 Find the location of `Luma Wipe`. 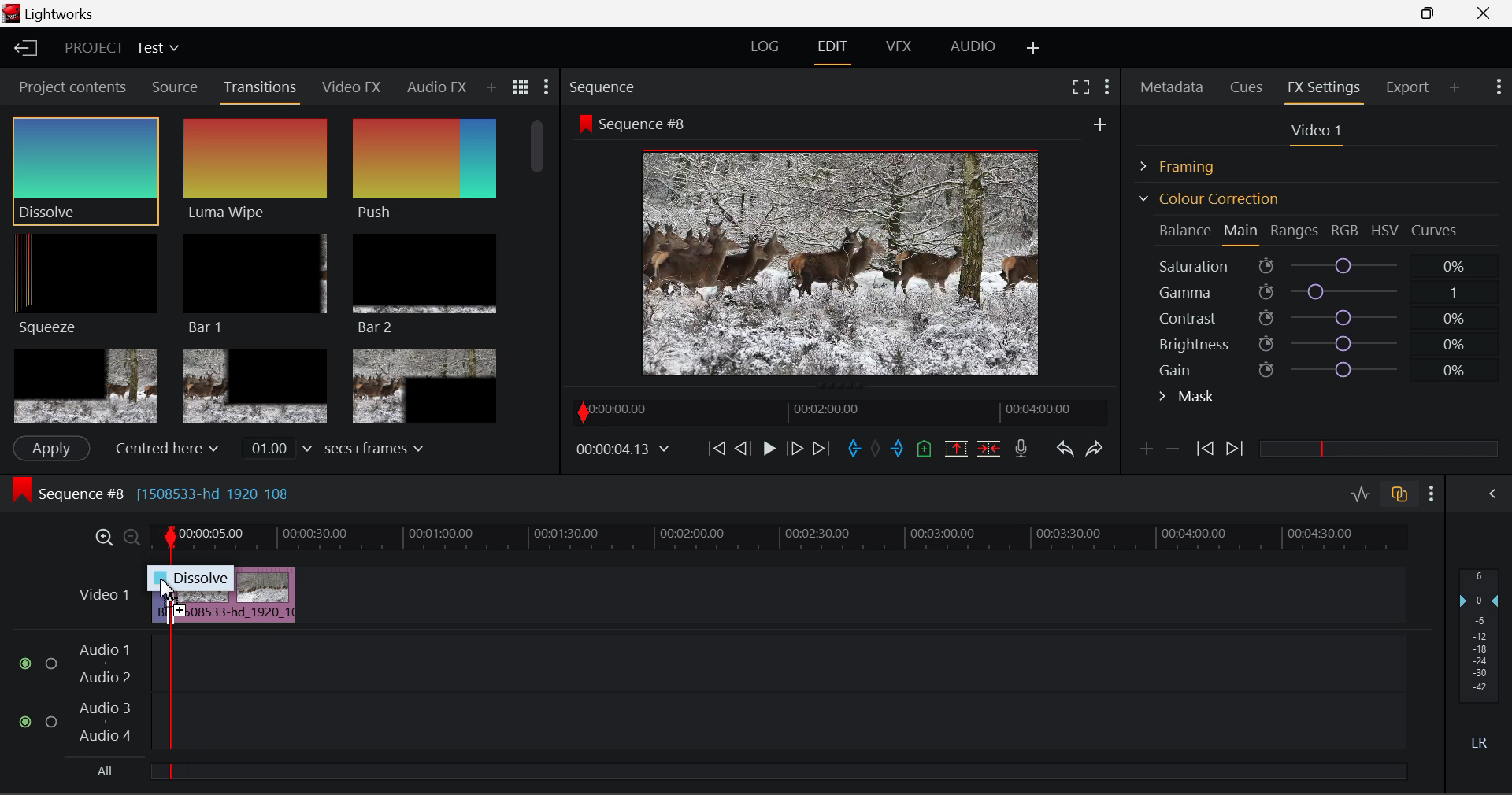

Luma Wipe is located at coordinates (251, 170).